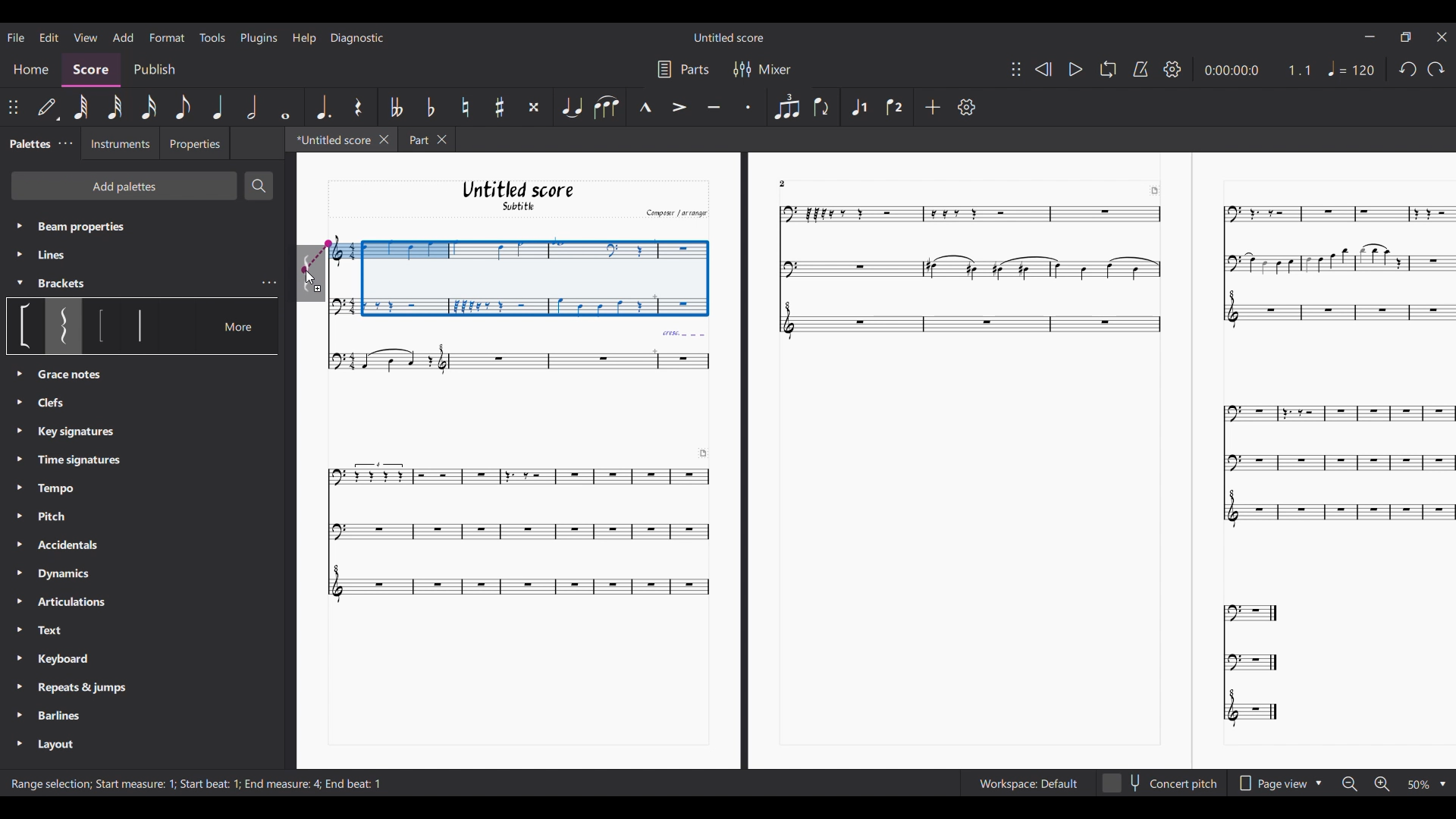 The image size is (1456, 819). I want to click on , so click(1247, 707).